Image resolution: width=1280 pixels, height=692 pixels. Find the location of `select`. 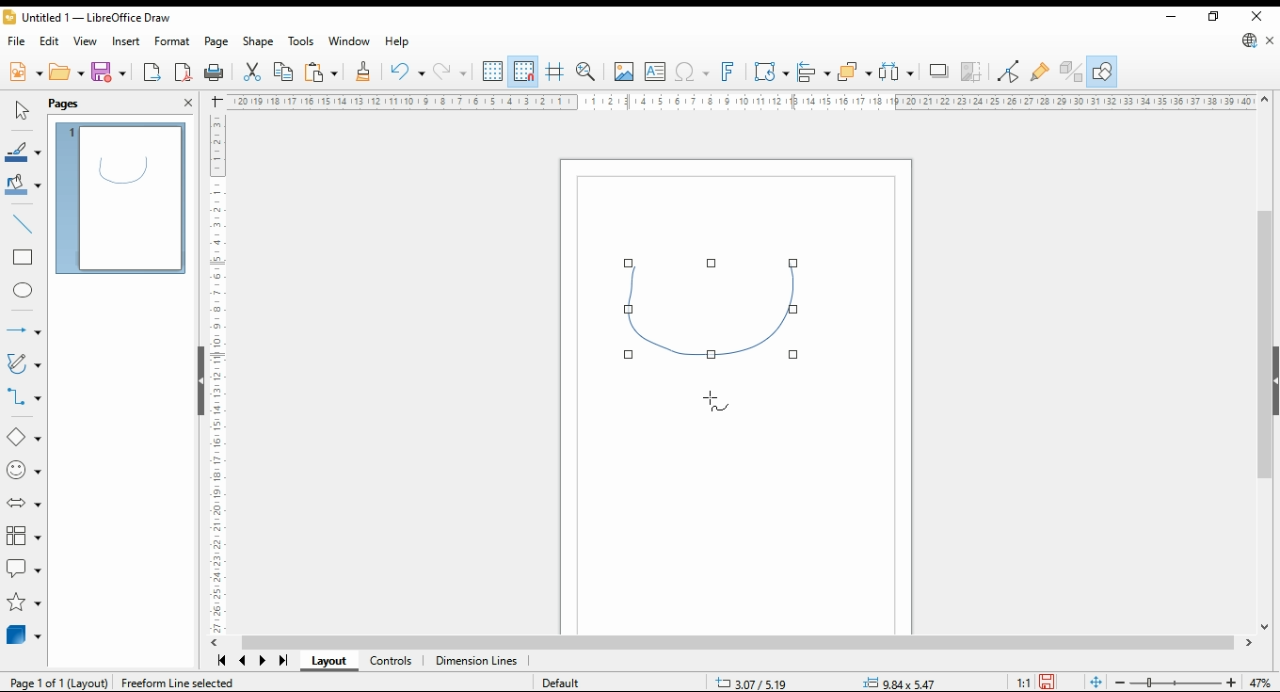

select is located at coordinates (21, 108).